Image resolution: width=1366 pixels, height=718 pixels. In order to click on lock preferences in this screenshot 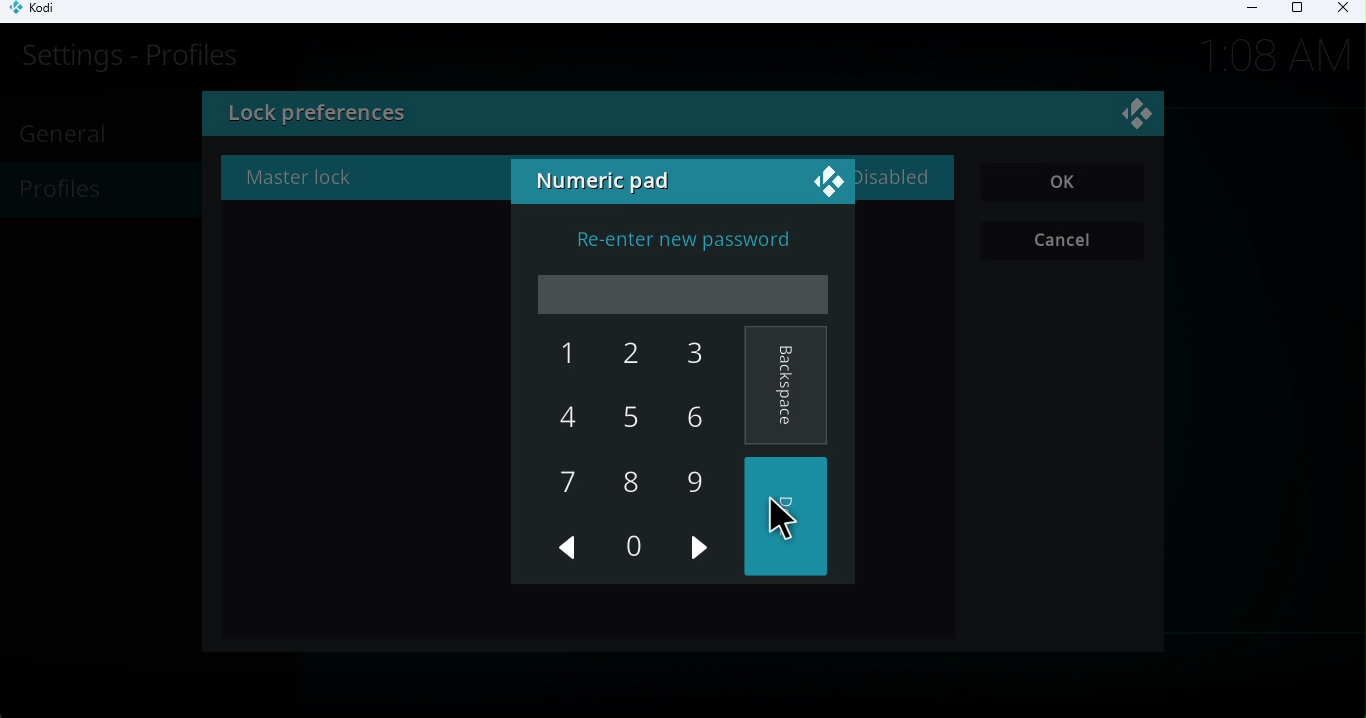, I will do `click(470, 116)`.